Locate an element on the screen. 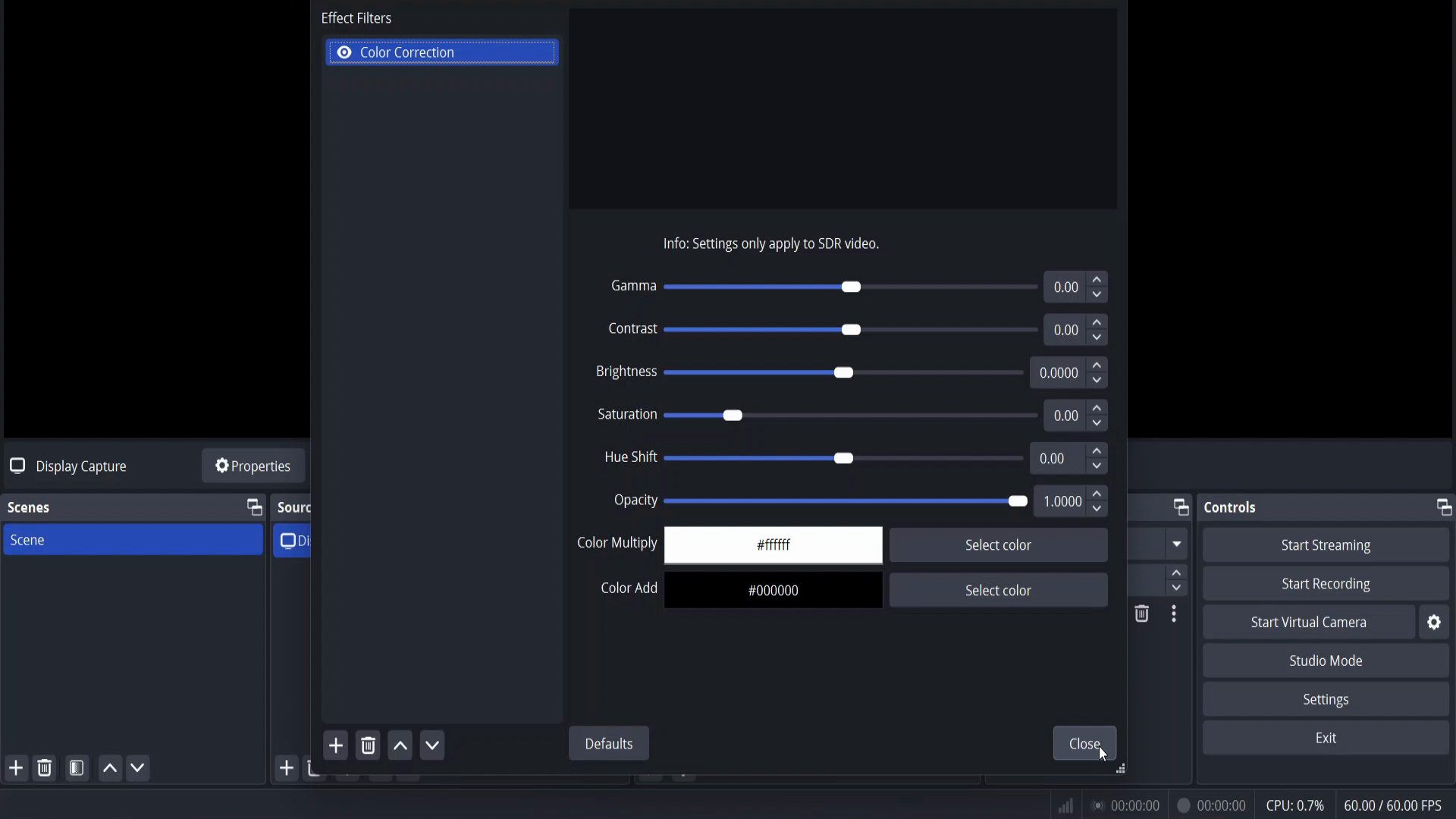  CONTast se——_ 0.00 v is located at coordinates (839, 331).